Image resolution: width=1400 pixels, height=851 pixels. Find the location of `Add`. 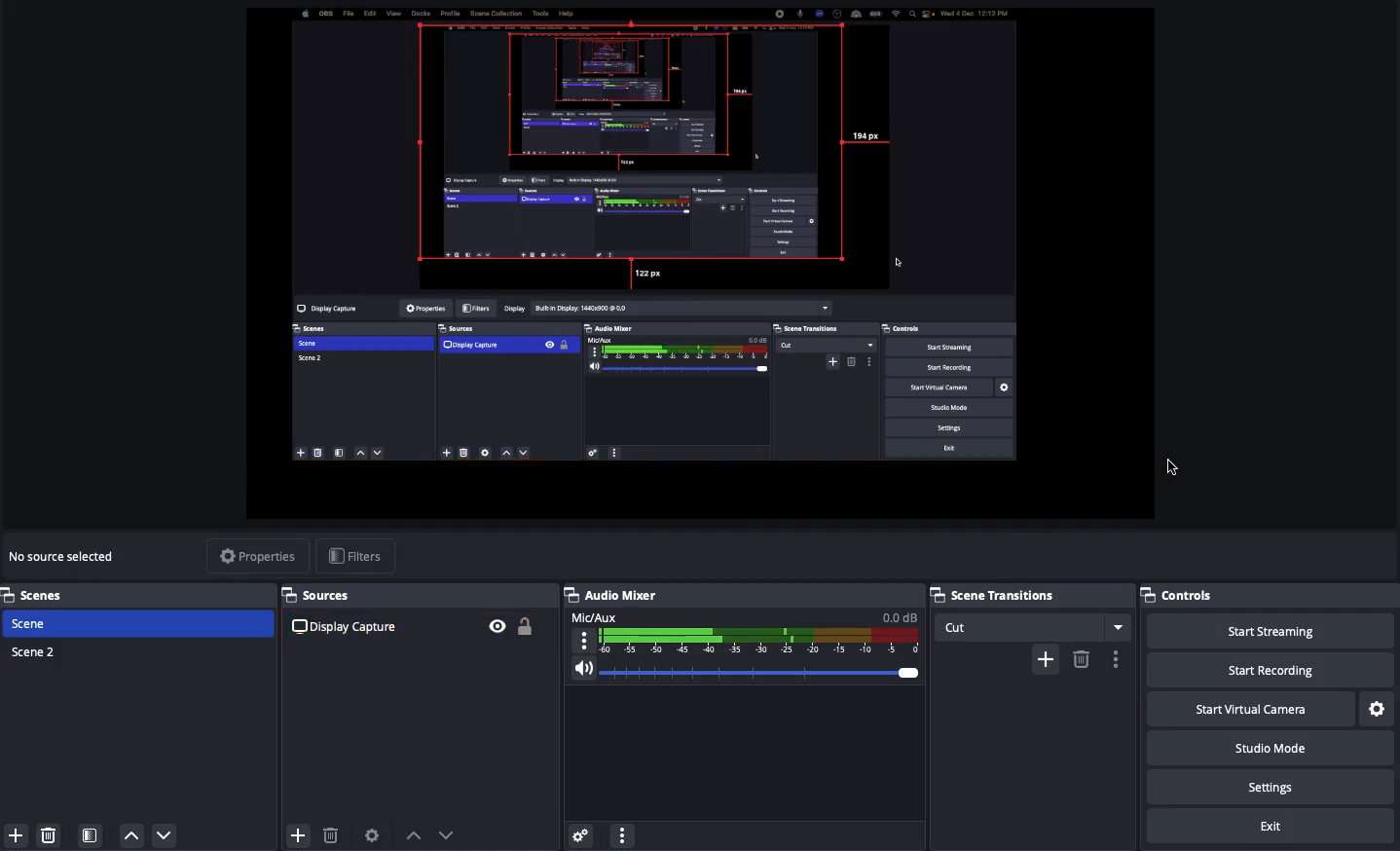

Add is located at coordinates (298, 833).